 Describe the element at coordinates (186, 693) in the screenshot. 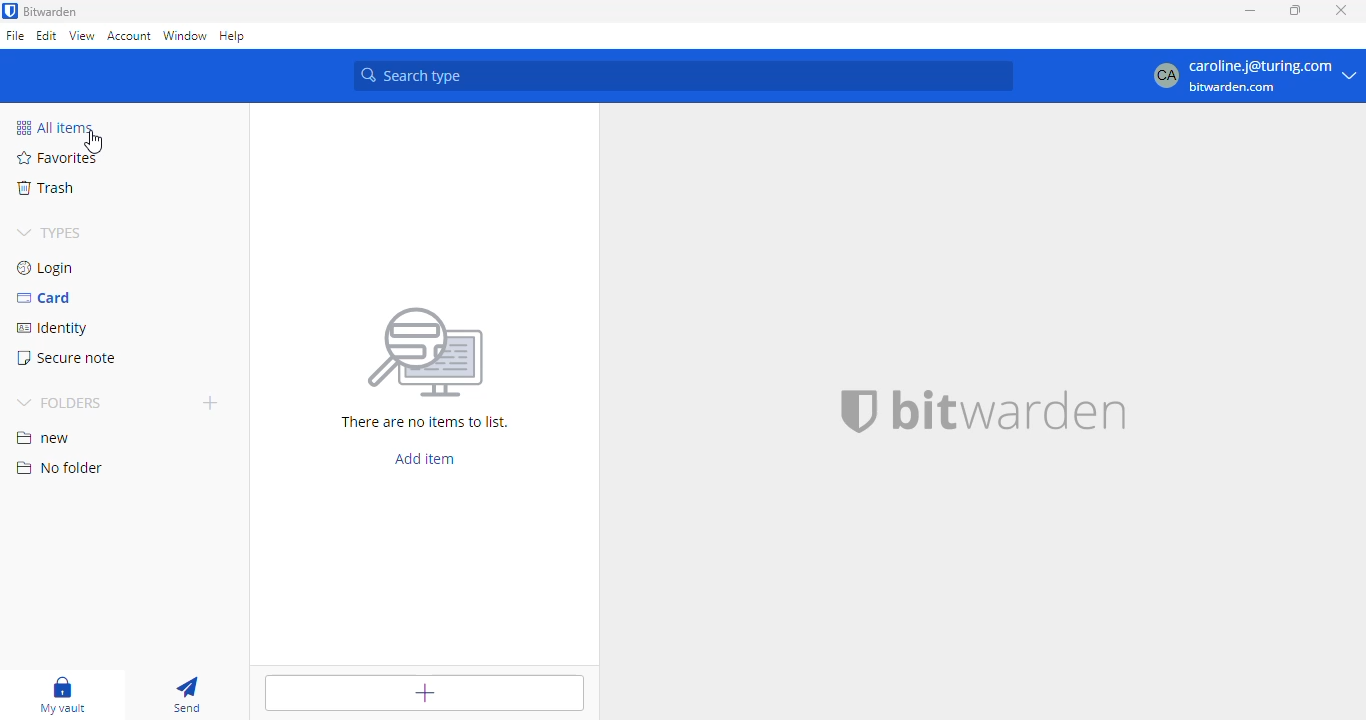

I see `send` at that location.